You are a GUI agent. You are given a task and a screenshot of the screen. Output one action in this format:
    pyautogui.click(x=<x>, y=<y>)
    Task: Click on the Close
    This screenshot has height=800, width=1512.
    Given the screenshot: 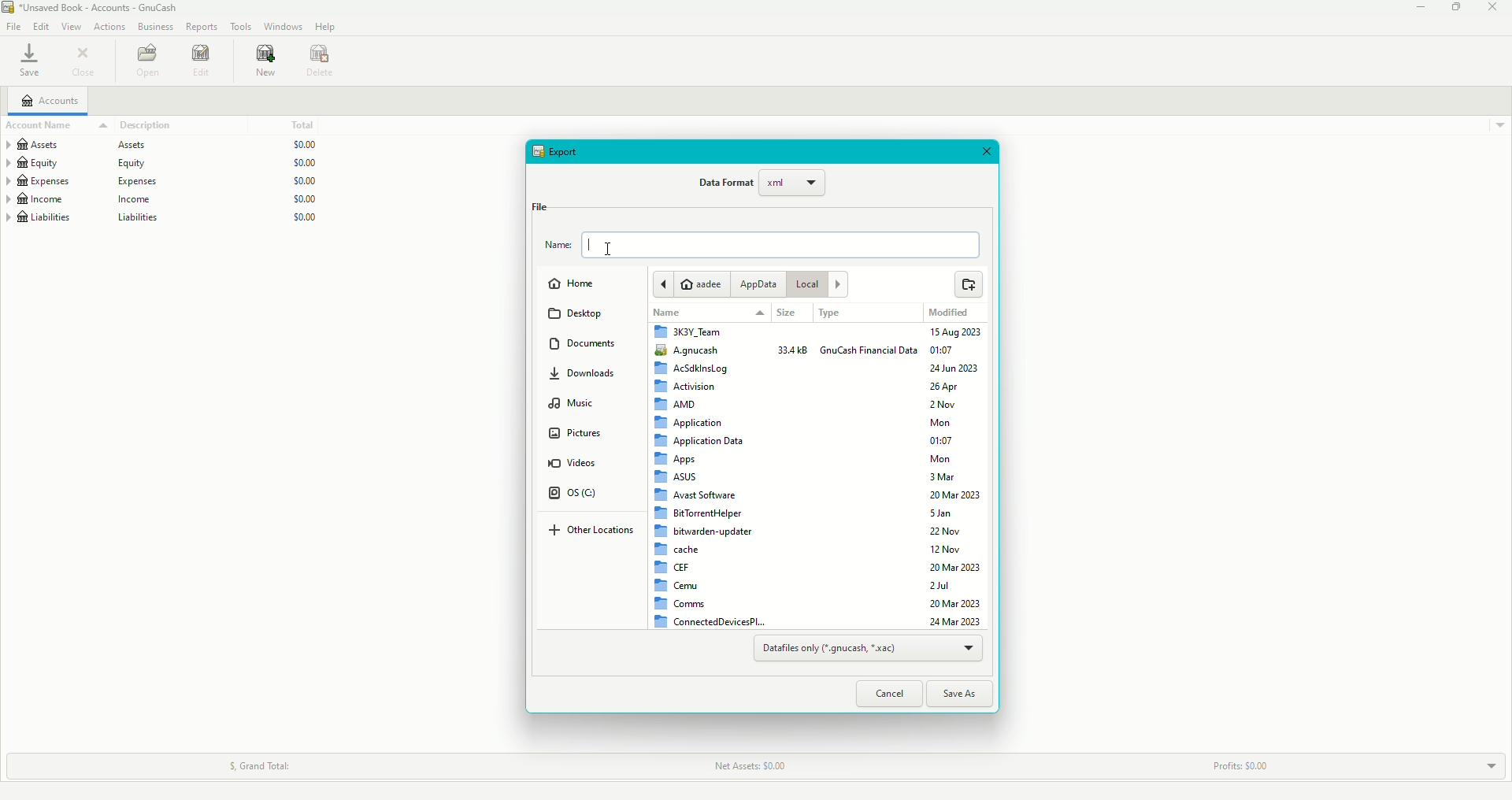 What is the action you would take?
    pyautogui.click(x=84, y=61)
    